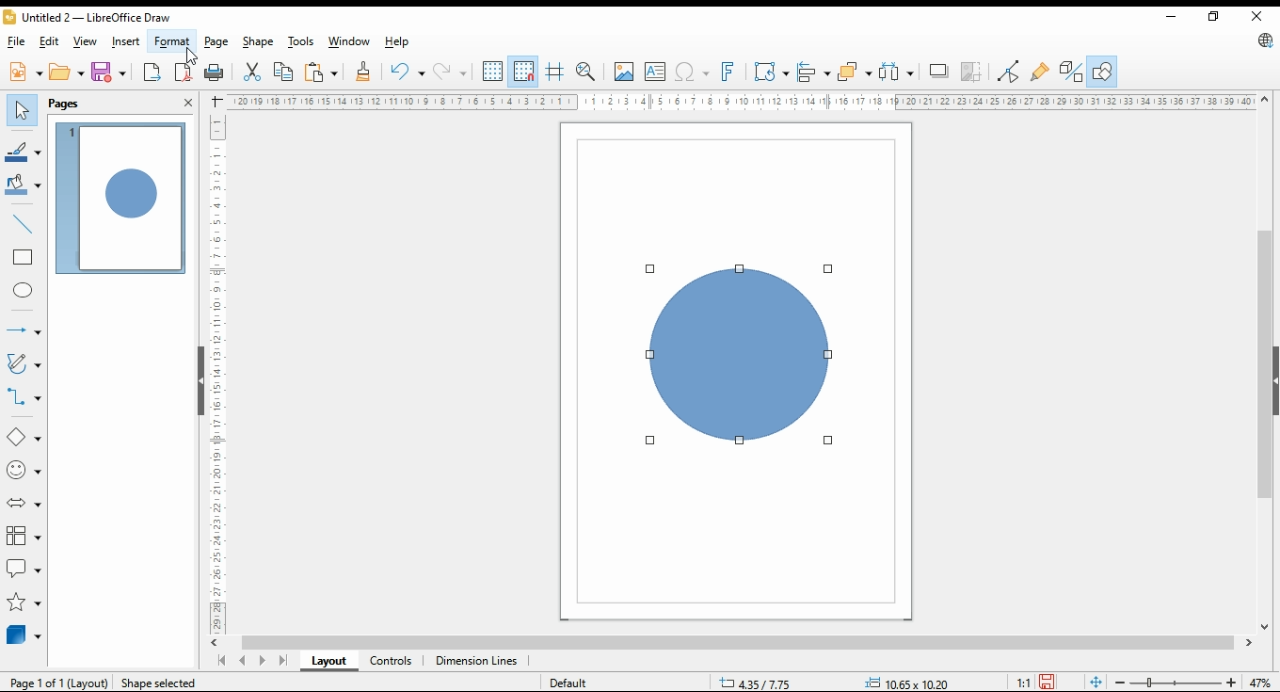 This screenshot has height=692, width=1280. What do you see at coordinates (1257, 16) in the screenshot?
I see `close window` at bounding box center [1257, 16].